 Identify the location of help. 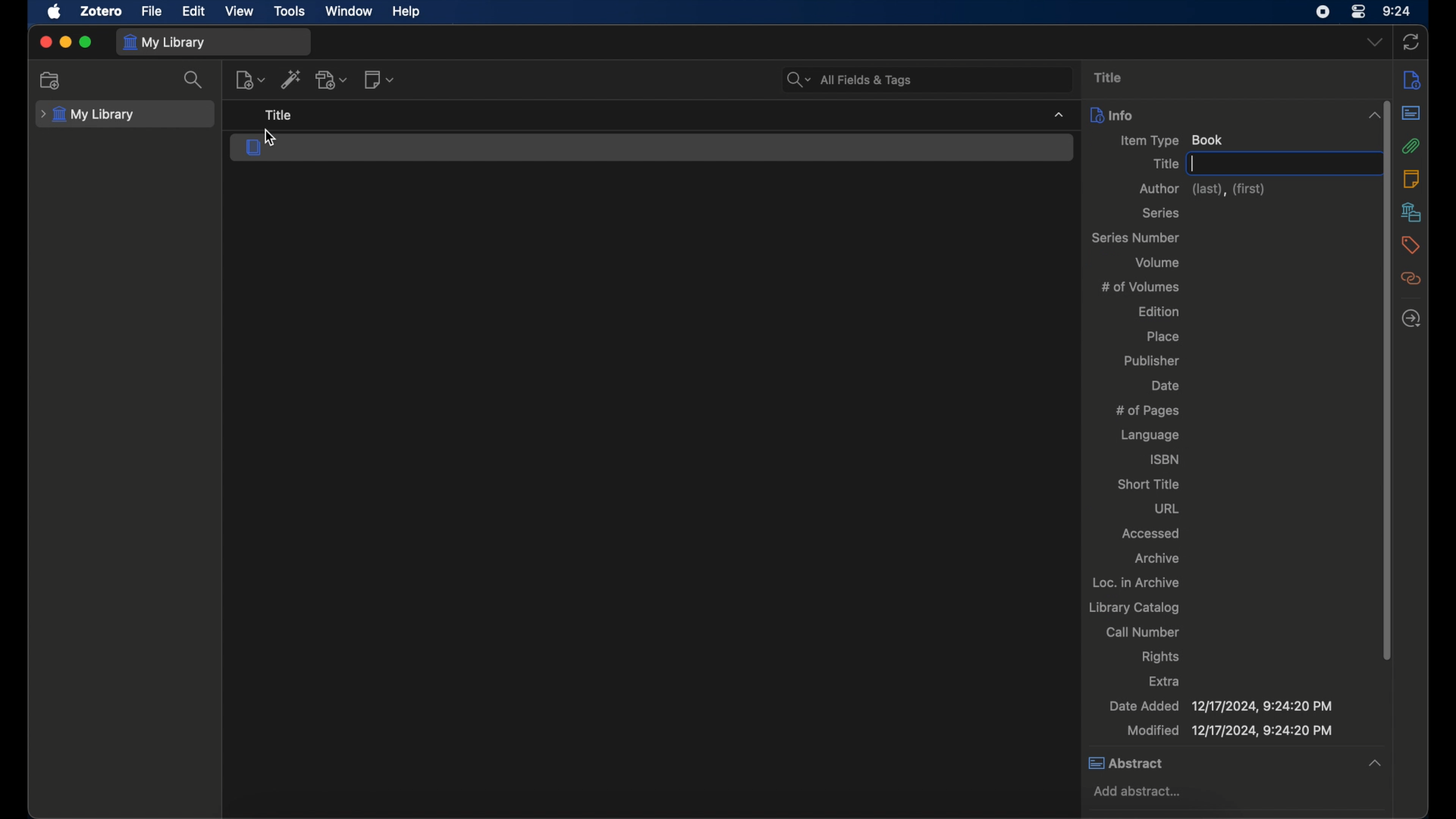
(406, 12).